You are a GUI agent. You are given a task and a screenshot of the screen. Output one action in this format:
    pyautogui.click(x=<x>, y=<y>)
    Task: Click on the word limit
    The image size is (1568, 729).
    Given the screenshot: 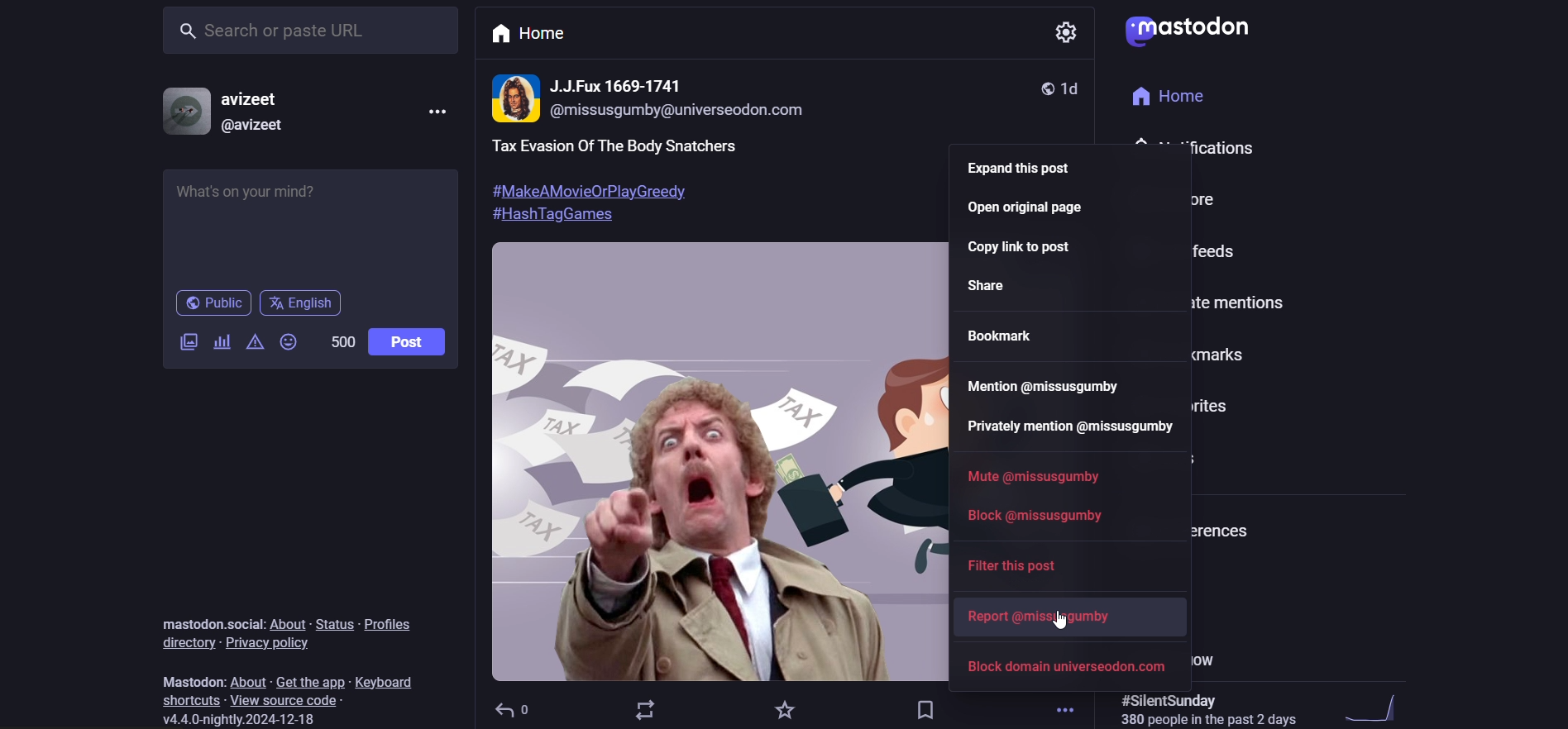 What is the action you would take?
    pyautogui.click(x=340, y=342)
    